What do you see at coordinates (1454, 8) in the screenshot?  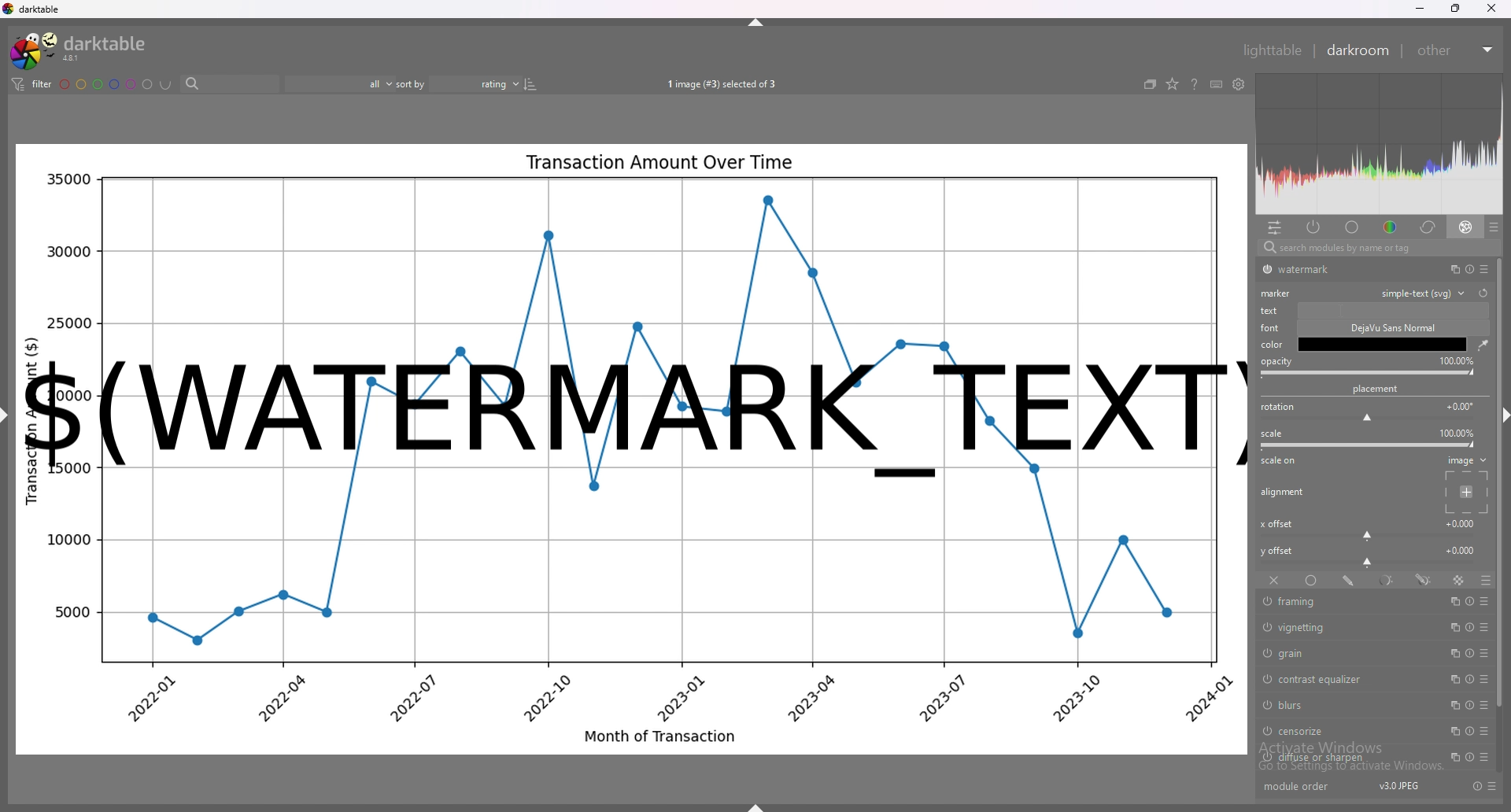 I see `resize` at bounding box center [1454, 8].